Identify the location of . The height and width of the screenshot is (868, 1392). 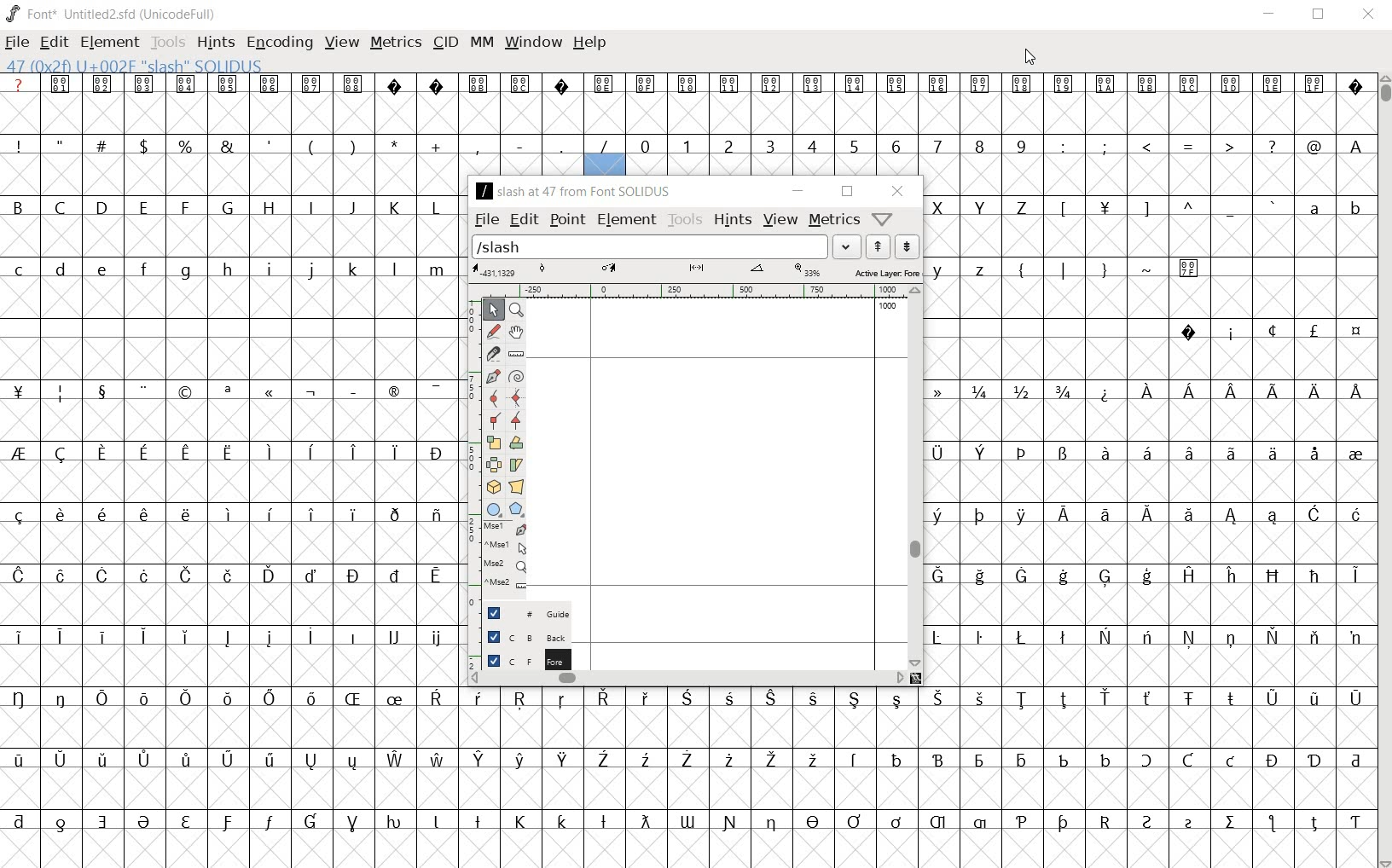
(685, 819).